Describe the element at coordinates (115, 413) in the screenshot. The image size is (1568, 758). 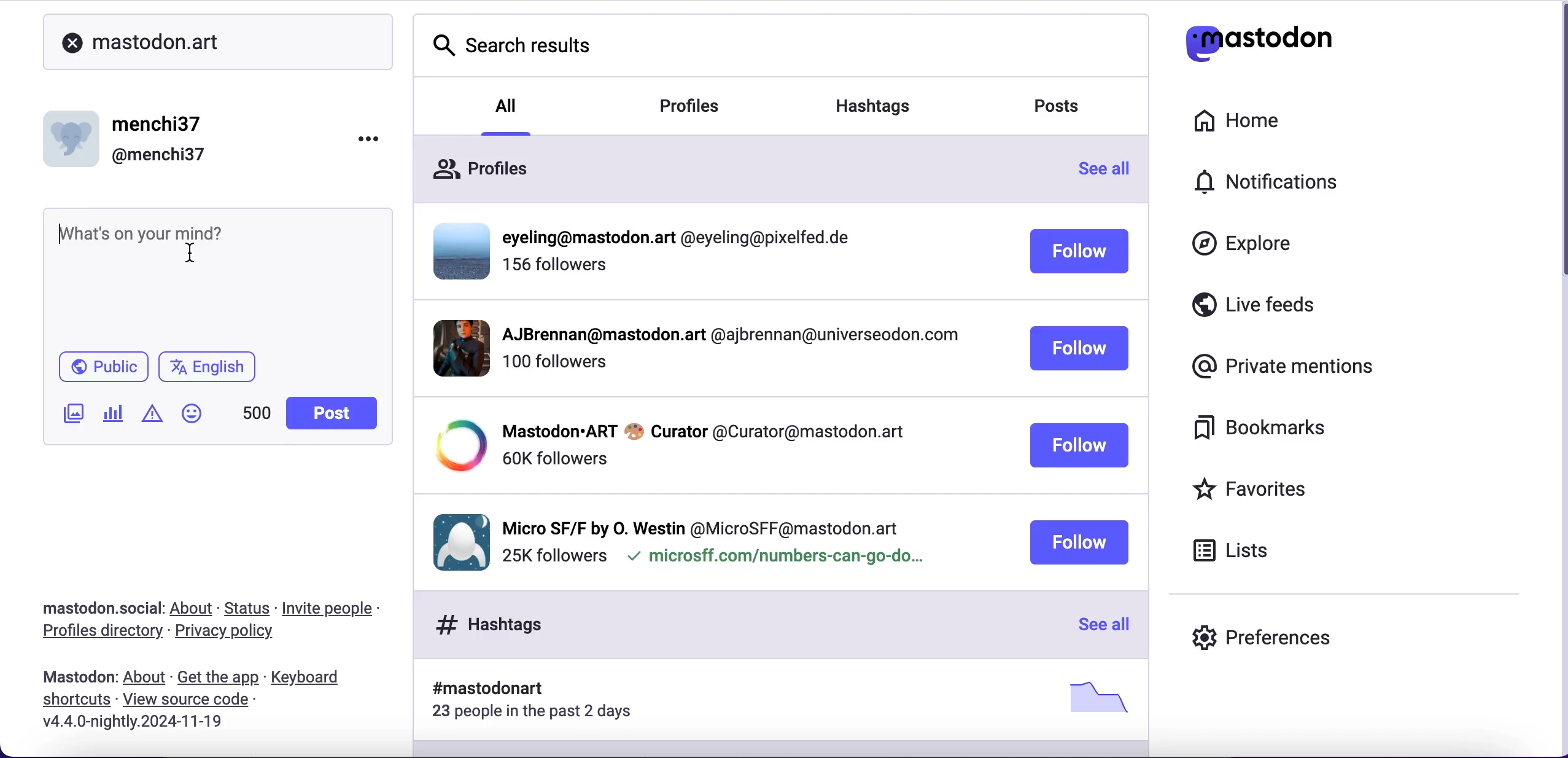
I see `add poll` at that location.